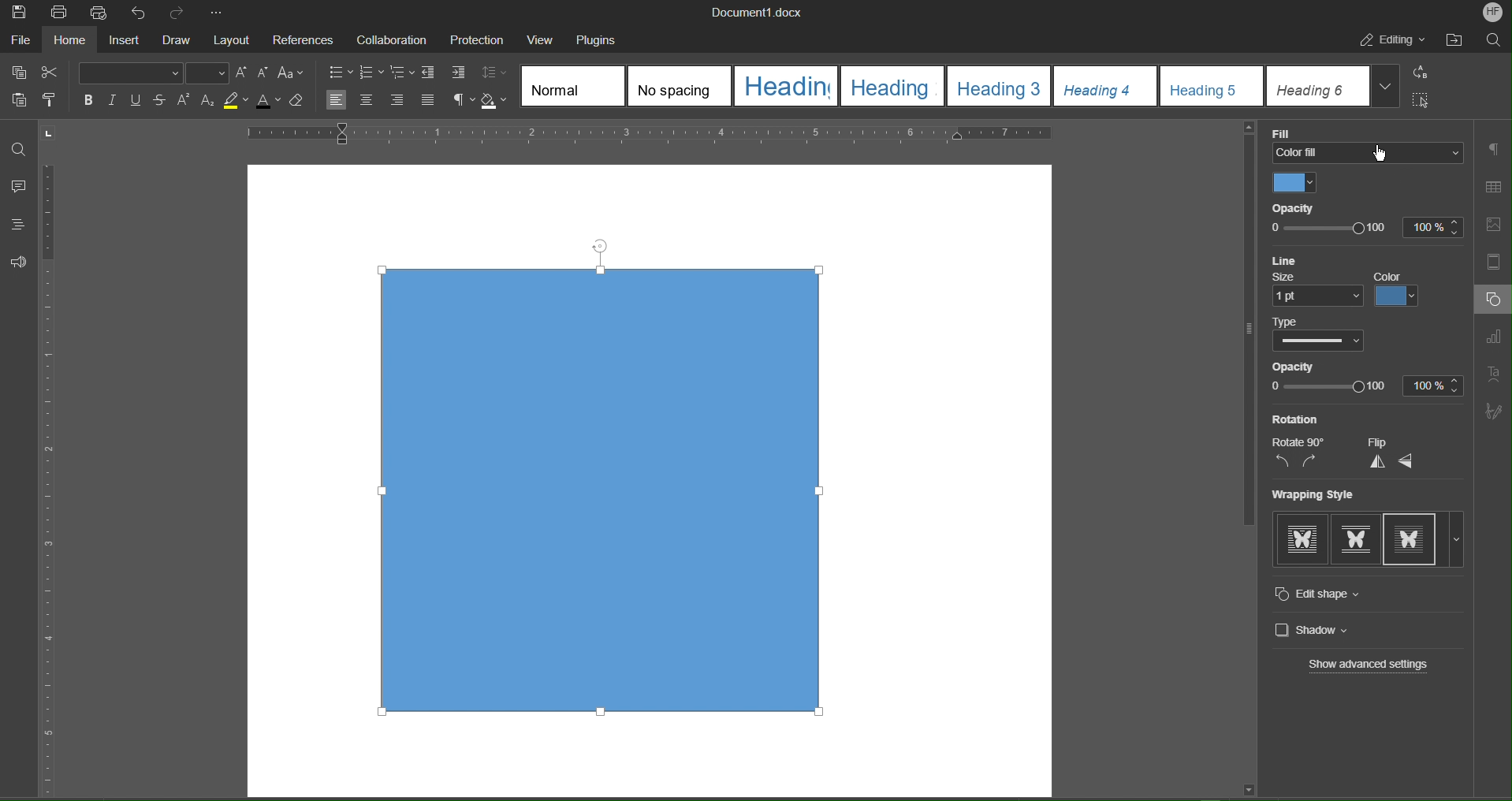  What do you see at coordinates (1415, 542) in the screenshot?
I see `Wrapping StylesTight wrapping` at bounding box center [1415, 542].